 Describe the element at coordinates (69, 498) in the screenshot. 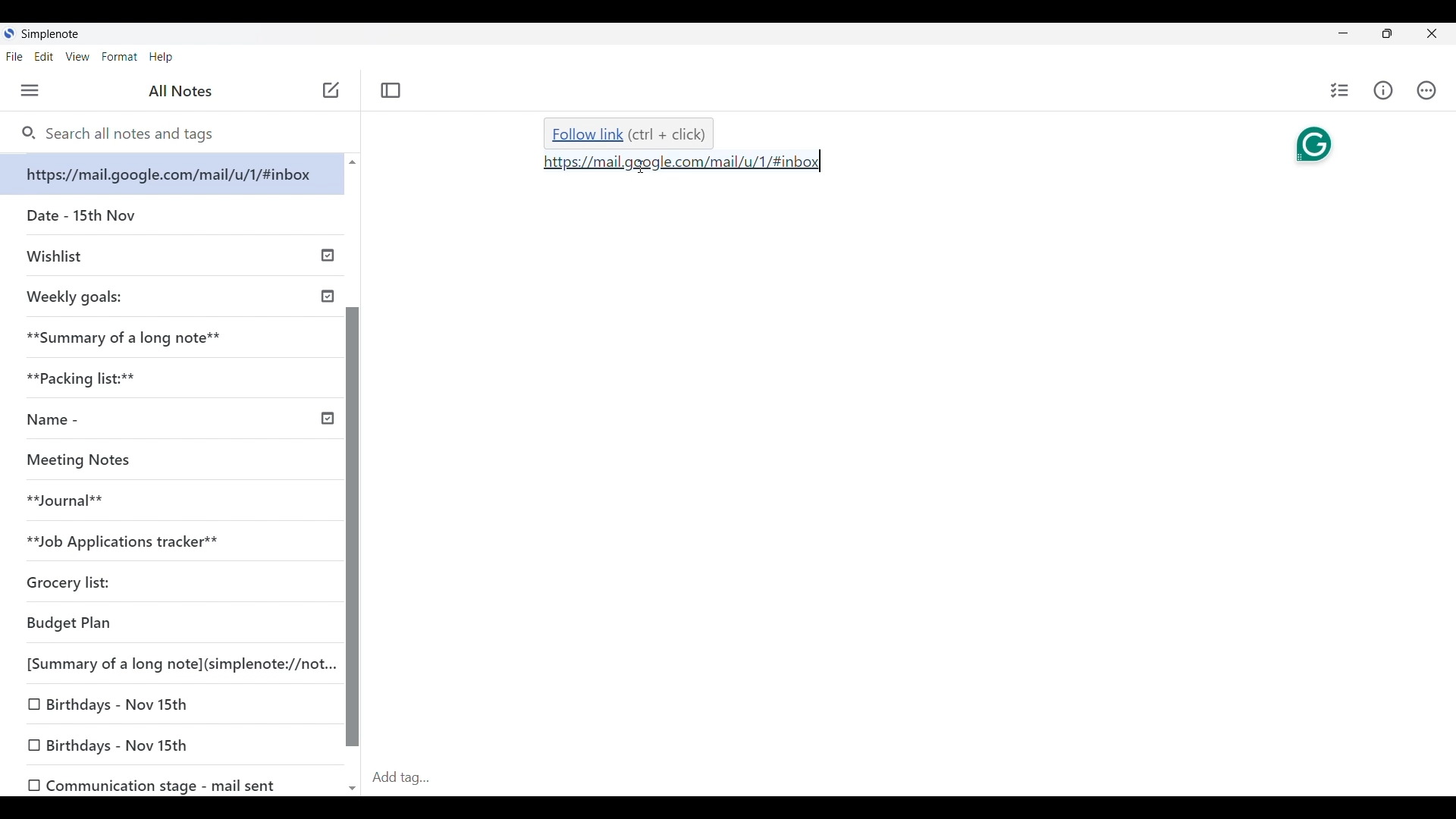

I see `**Journal**` at that location.